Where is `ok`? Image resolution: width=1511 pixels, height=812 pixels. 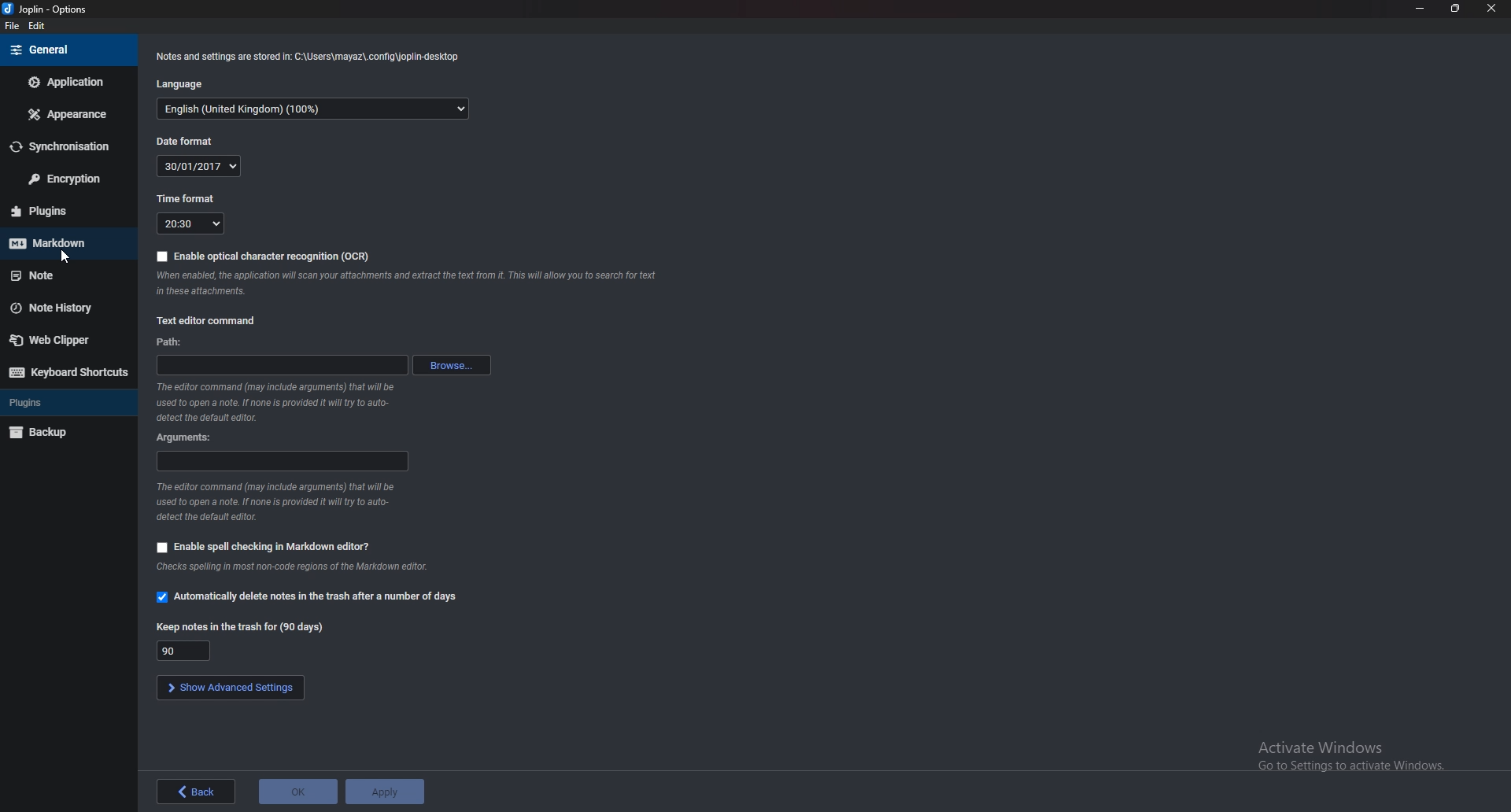
ok is located at coordinates (295, 792).